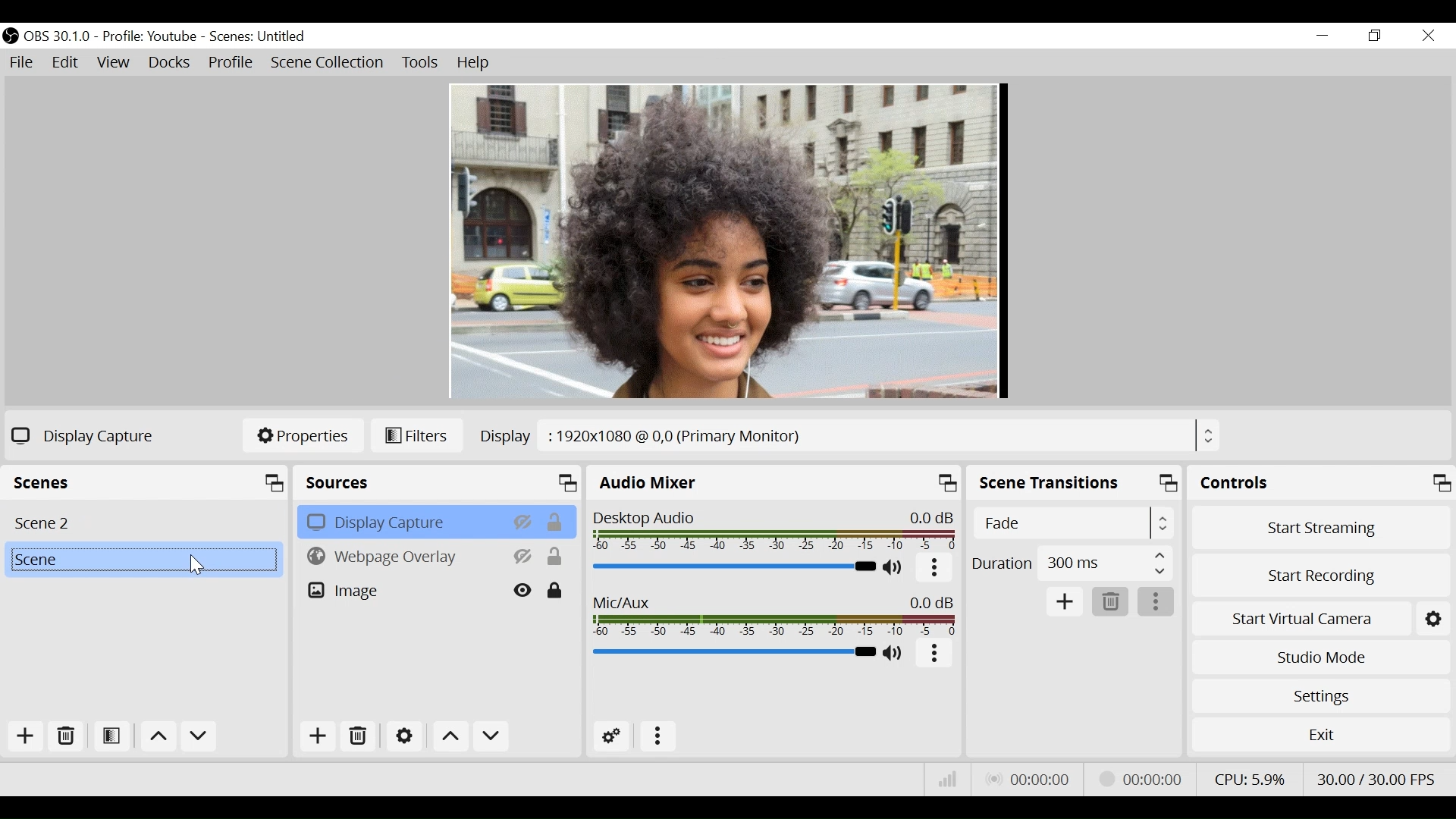 The image size is (1456, 819). What do you see at coordinates (319, 735) in the screenshot?
I see `Add` at bounding box center [319, 735].